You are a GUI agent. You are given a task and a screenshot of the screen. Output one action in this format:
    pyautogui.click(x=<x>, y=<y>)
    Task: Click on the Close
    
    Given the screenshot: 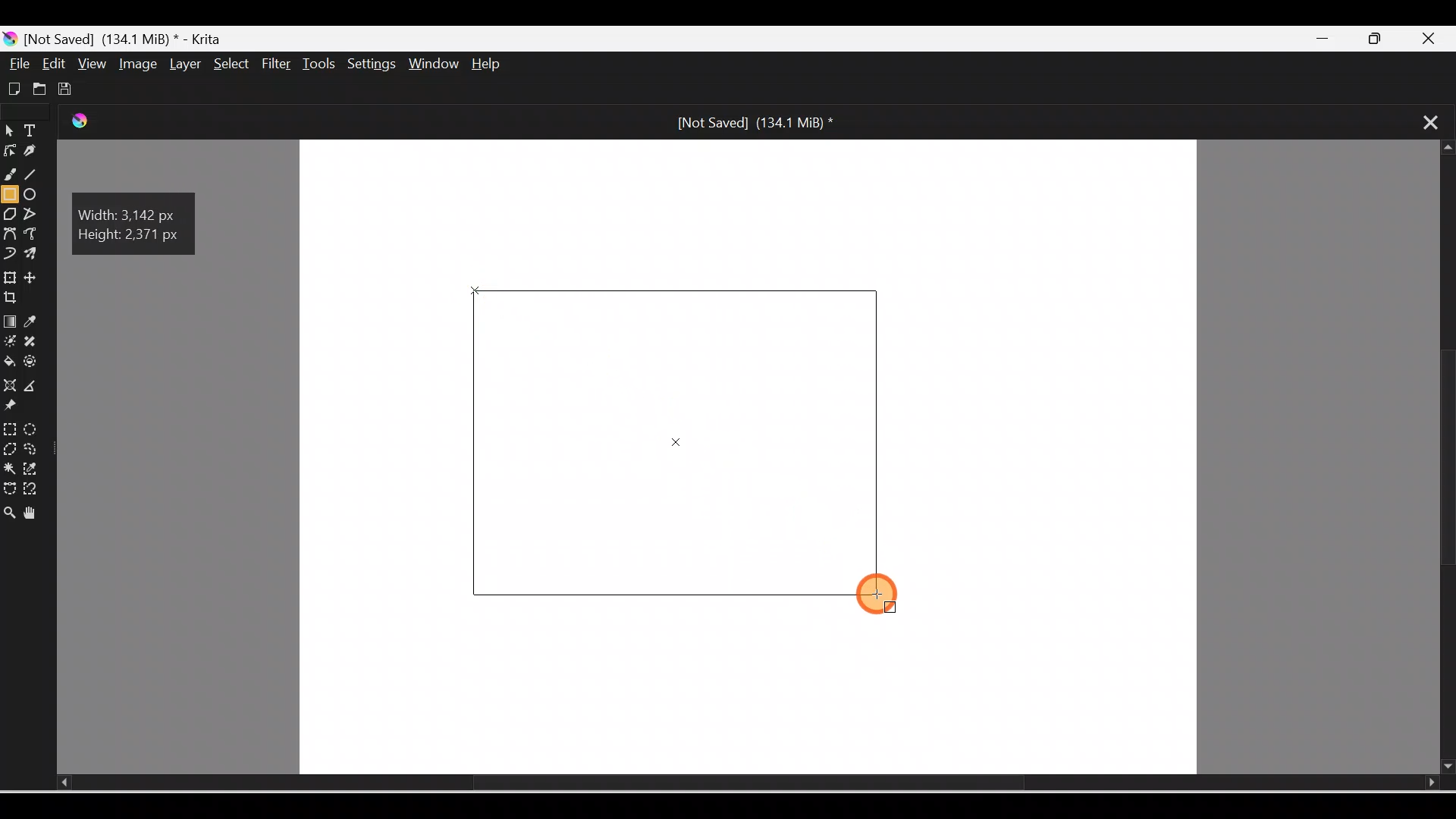 What is the action you would take?
    pyautogui.click(x=1436, y=36)
    